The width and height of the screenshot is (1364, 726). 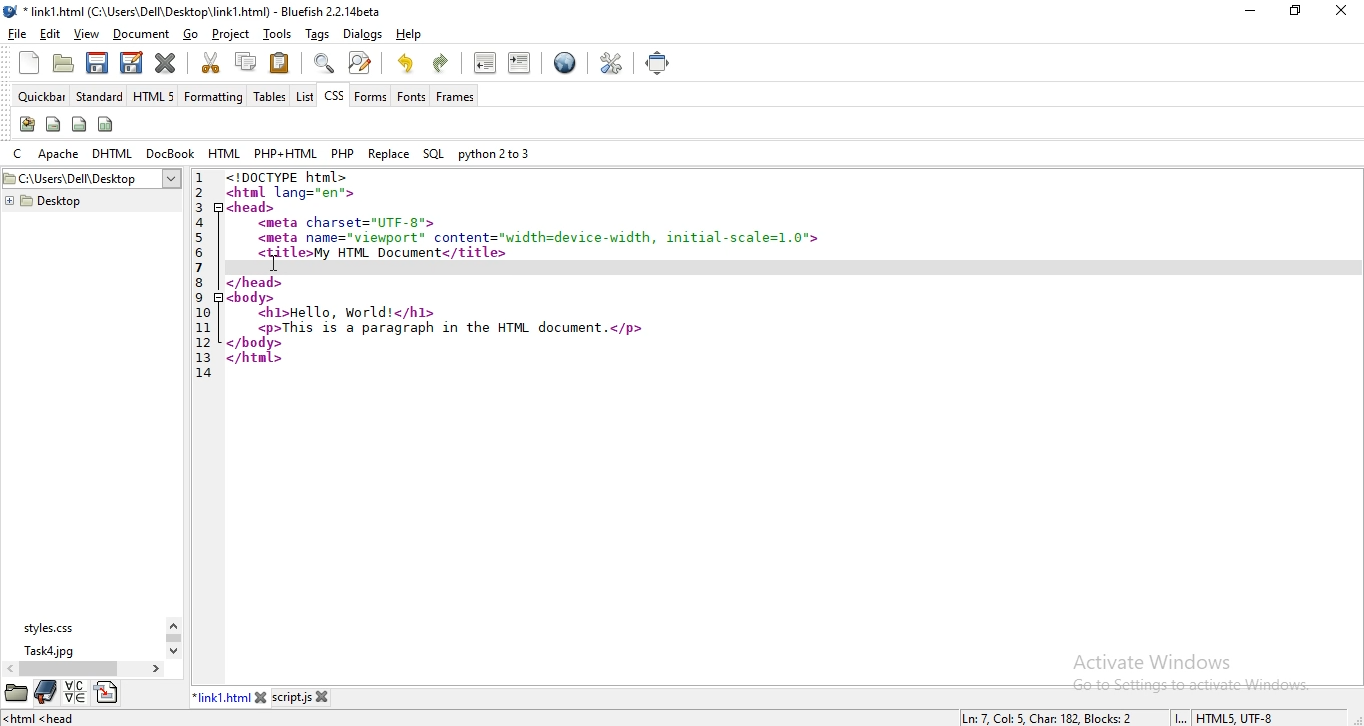 I want to click on columns, so click(x=104, y=125).